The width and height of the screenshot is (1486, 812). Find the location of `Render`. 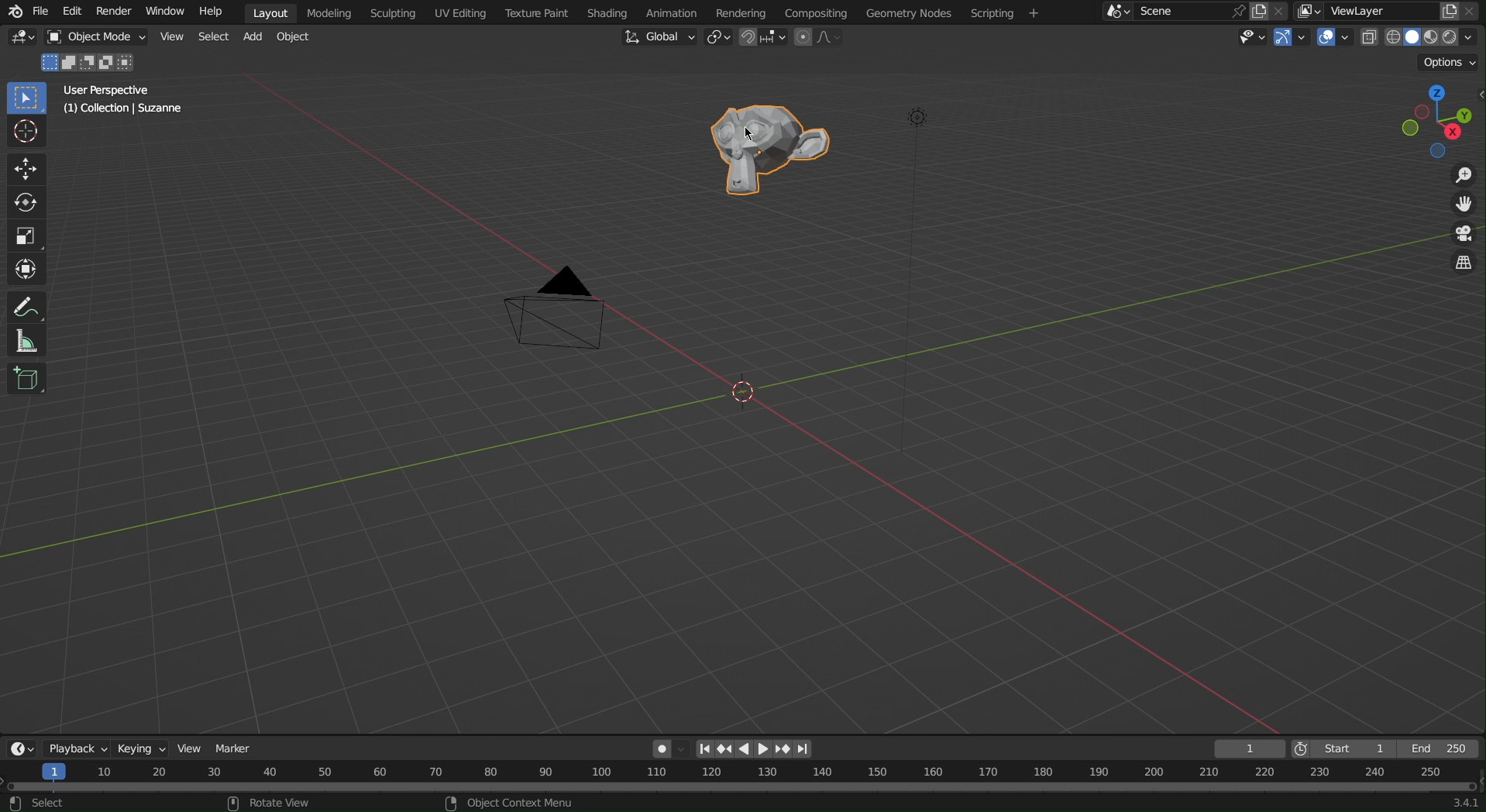

Render is located at coordinates (115, 14).